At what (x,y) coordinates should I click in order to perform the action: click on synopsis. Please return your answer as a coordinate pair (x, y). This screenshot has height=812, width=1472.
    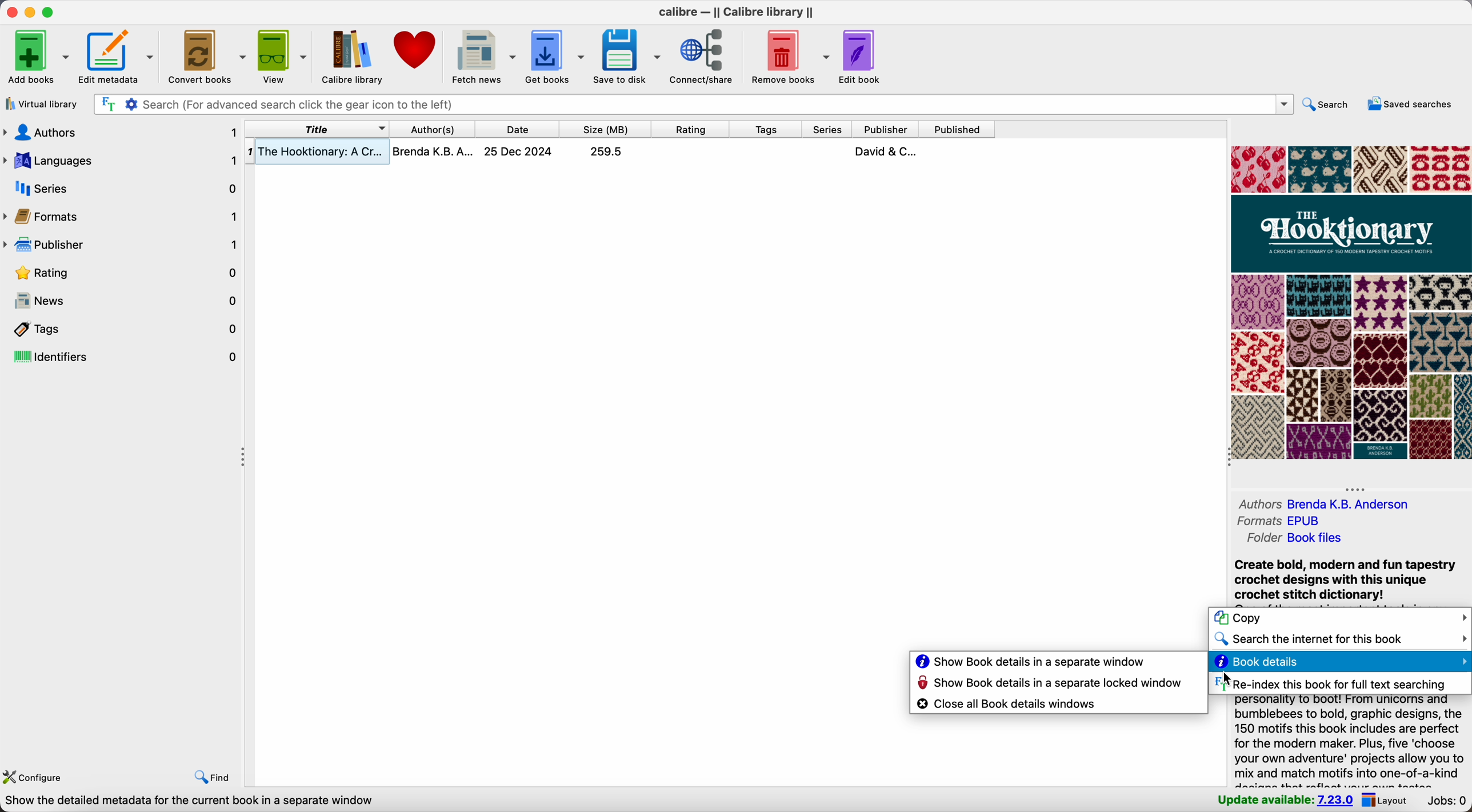
    Looking at the image, I should click on (1343, 580).